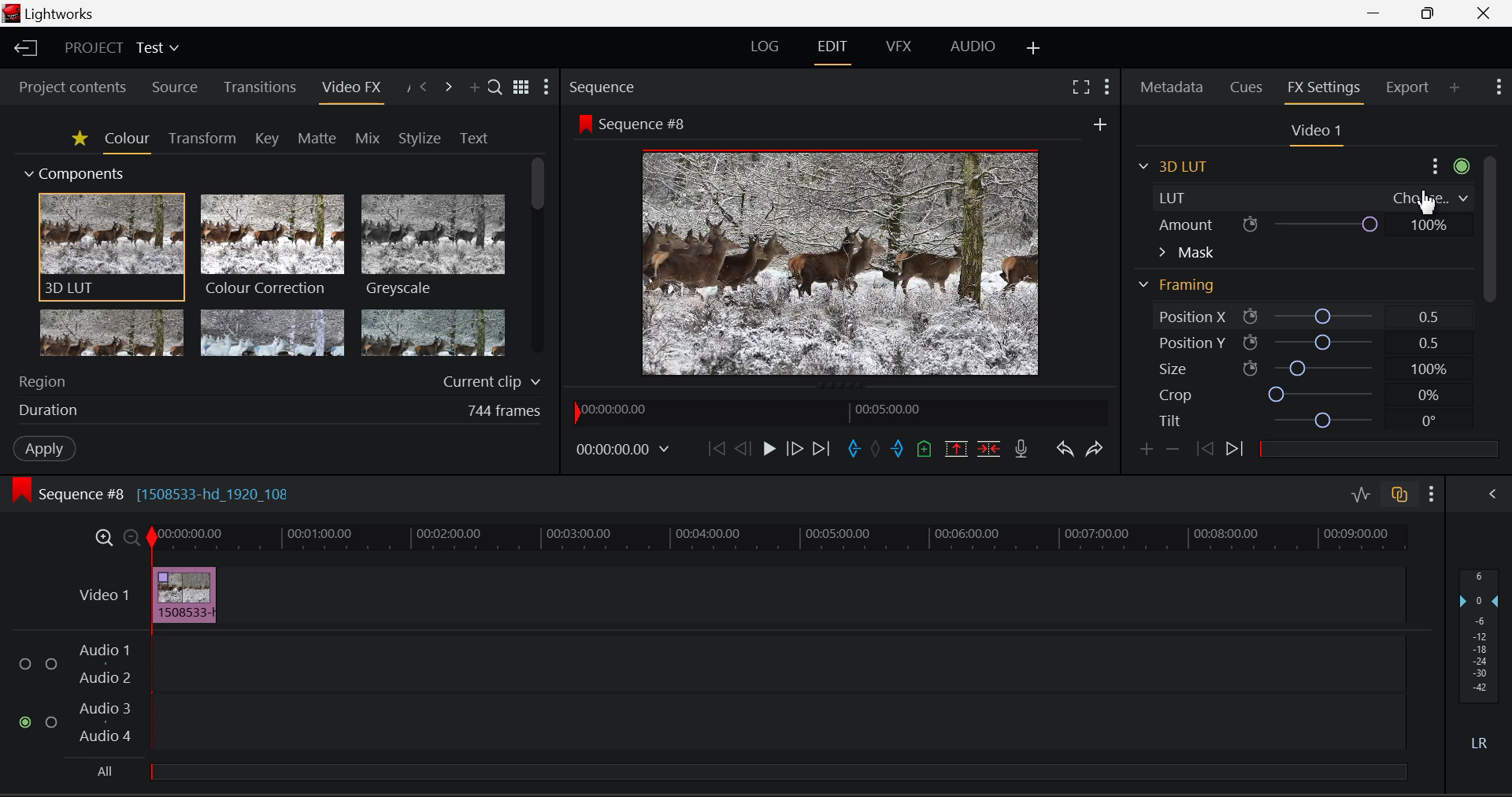 This screenshot has height=797, width=1512. Describe the element at coordinates (854, 450) in the screenshot. I see `Mark In` at that location.